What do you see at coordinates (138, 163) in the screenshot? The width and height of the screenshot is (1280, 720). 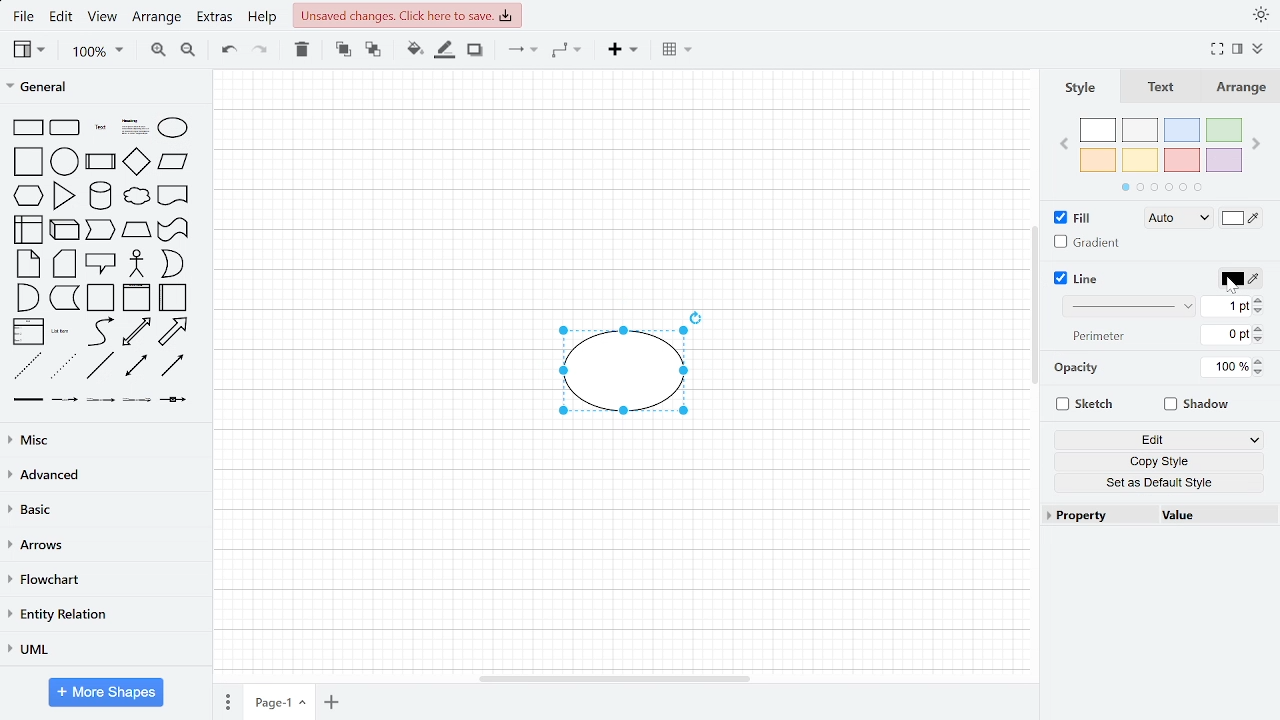 I see `diamond` at bounding box center [138, 163].